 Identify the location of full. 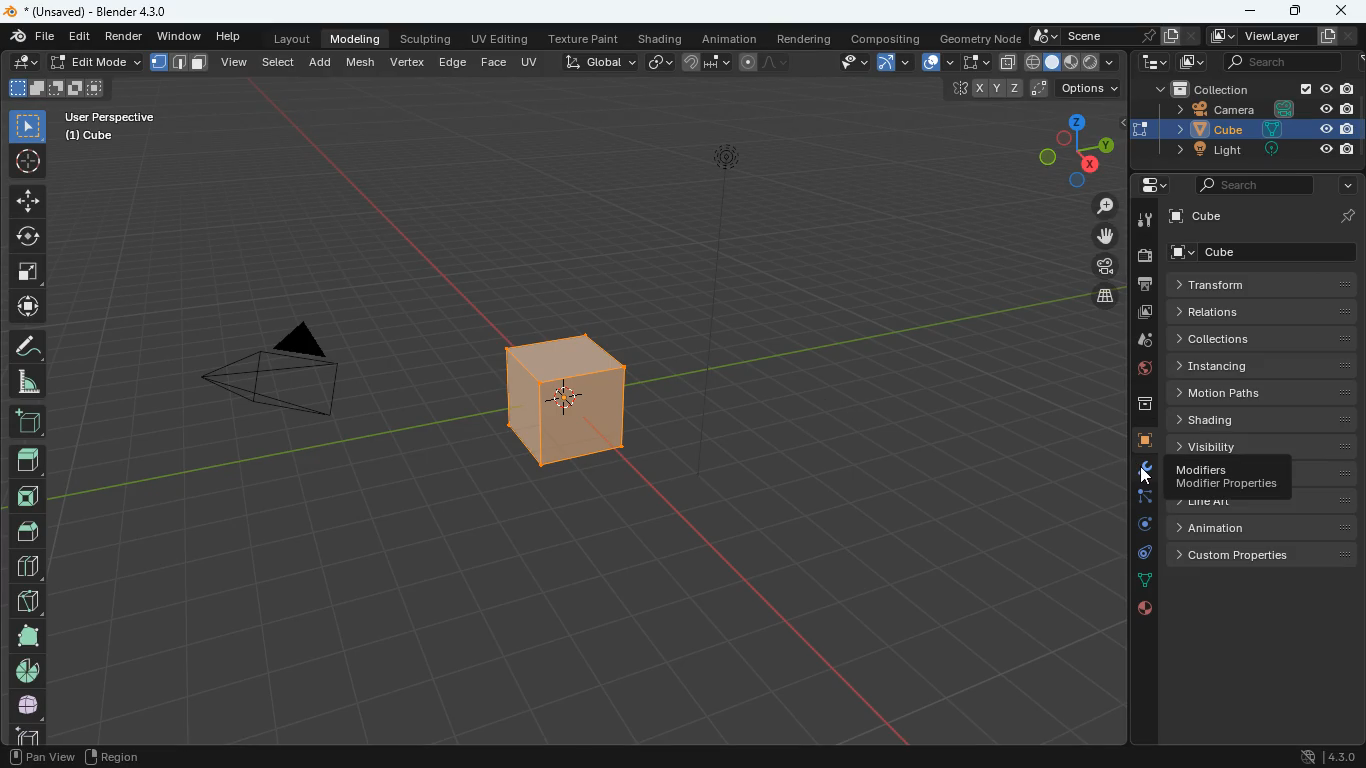
(30, 703).